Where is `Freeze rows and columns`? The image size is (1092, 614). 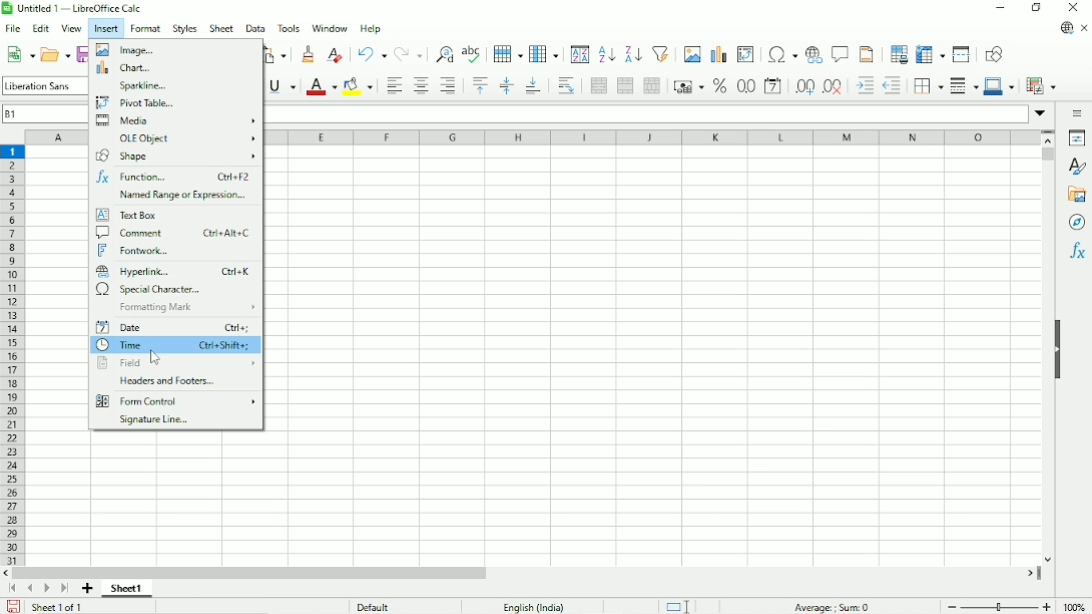 Freeze rows and columns is located at coordinates (930, 54).